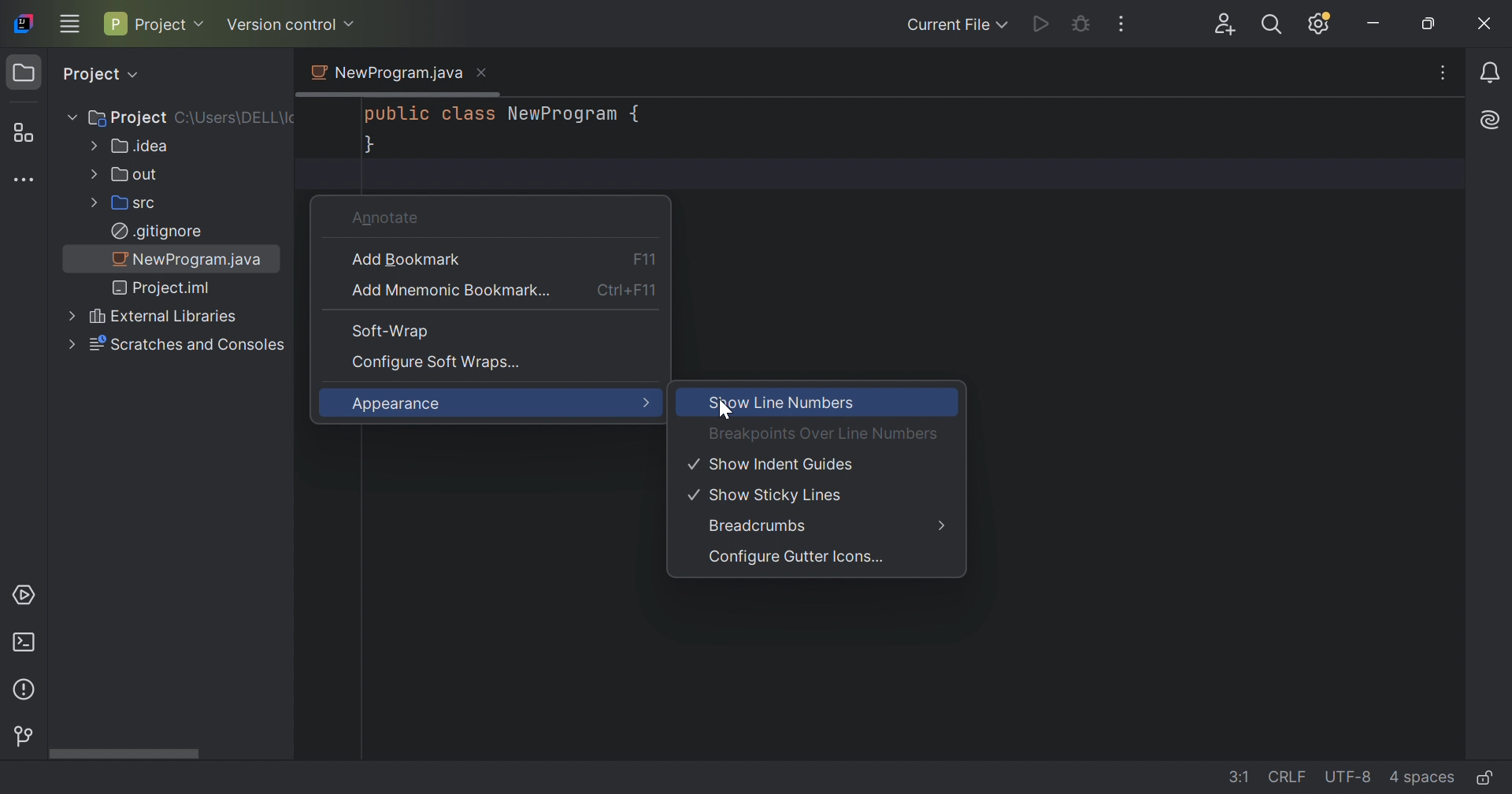  Describe the element at coordinates (408, 260) in the screenshot. I see `Add Bookmark` at that location.